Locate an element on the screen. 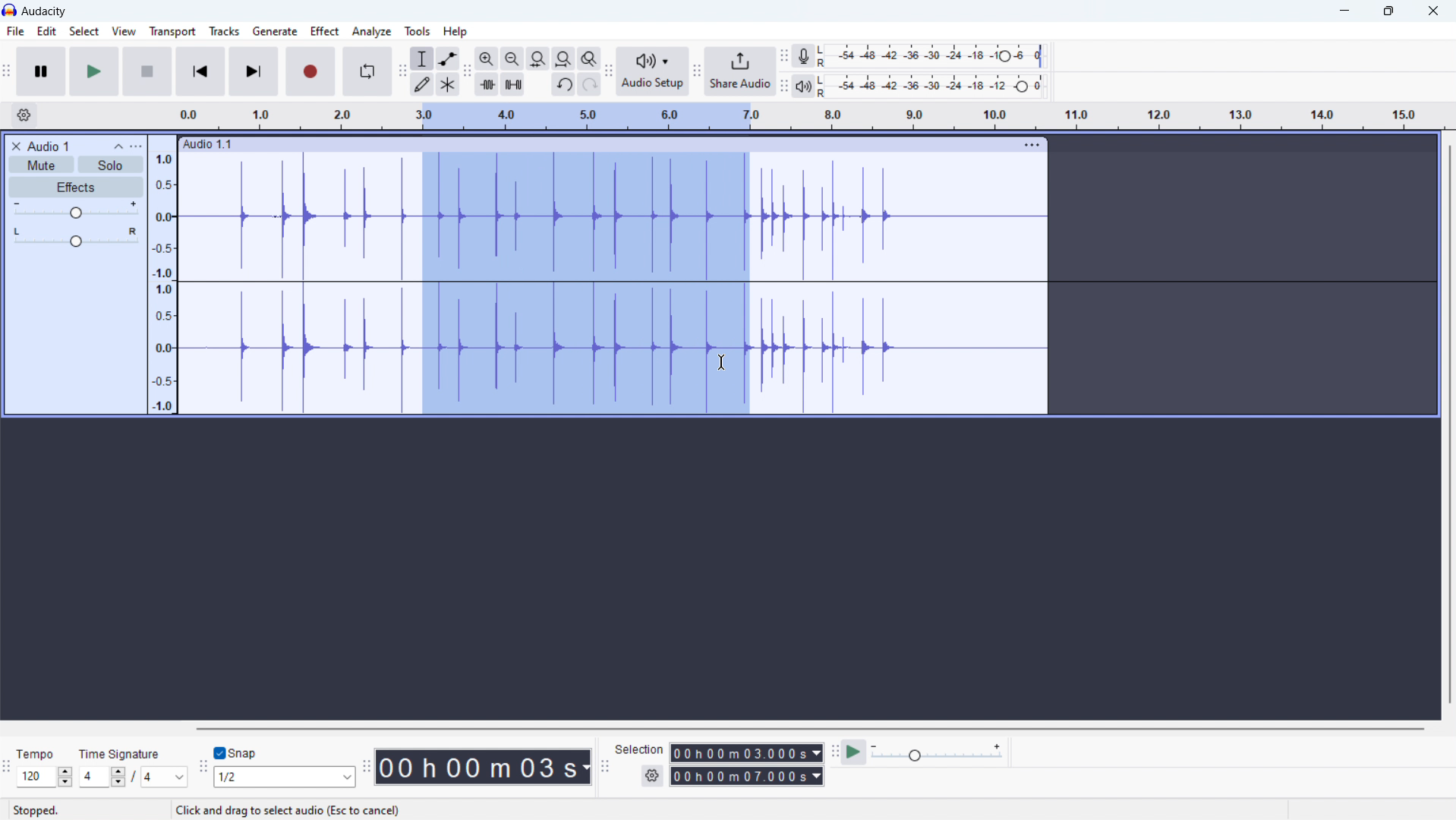 Image resolution: width=1456 pixels, height=820 pixels. Stopped is located at coordinates (36, 809).